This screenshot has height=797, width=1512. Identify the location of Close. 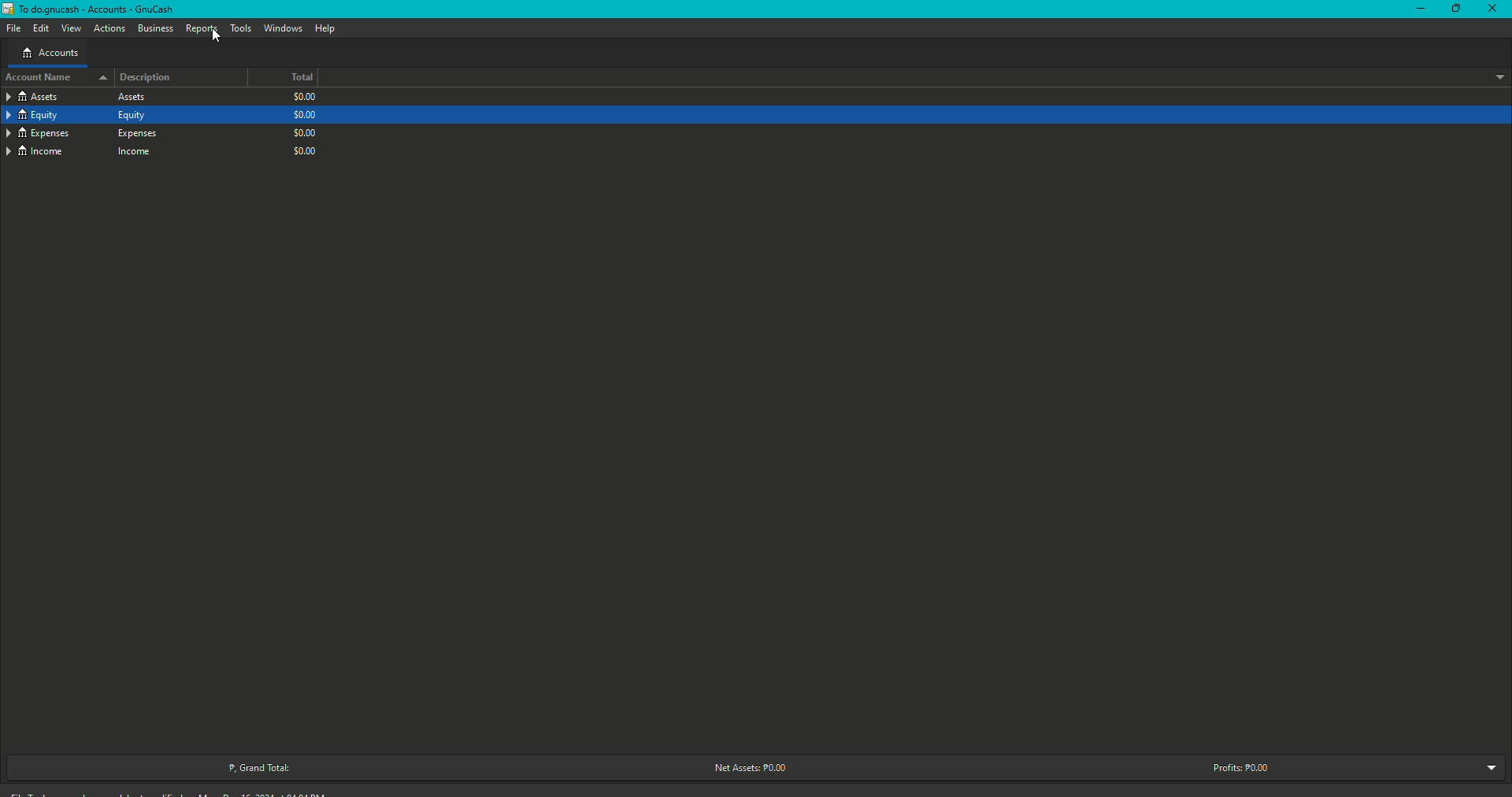
(1492, 10).